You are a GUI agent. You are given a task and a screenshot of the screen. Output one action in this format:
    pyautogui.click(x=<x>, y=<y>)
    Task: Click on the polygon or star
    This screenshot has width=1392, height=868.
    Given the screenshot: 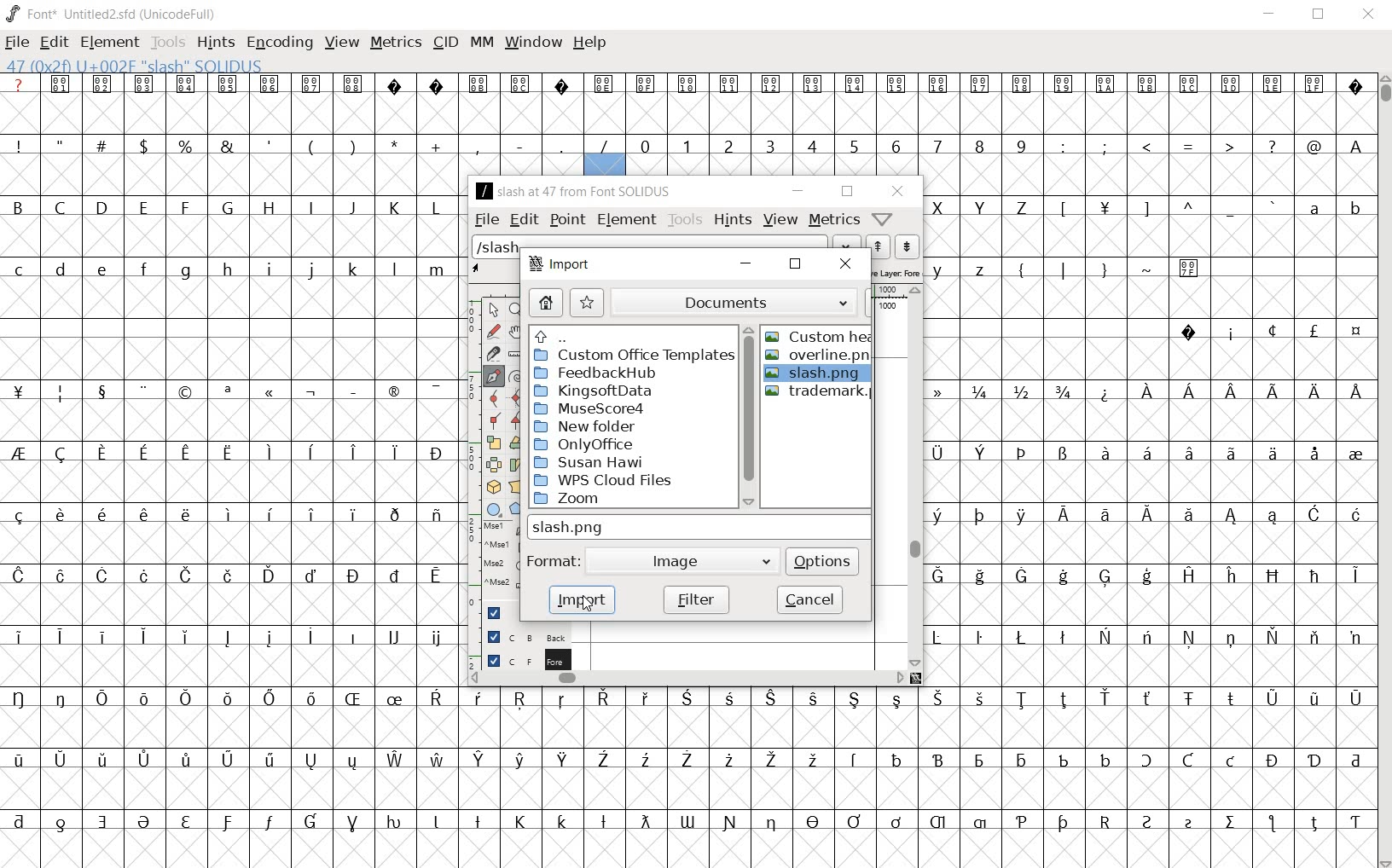 What is the action you would take?
    pyautogui.click(x=518, y=510)
    